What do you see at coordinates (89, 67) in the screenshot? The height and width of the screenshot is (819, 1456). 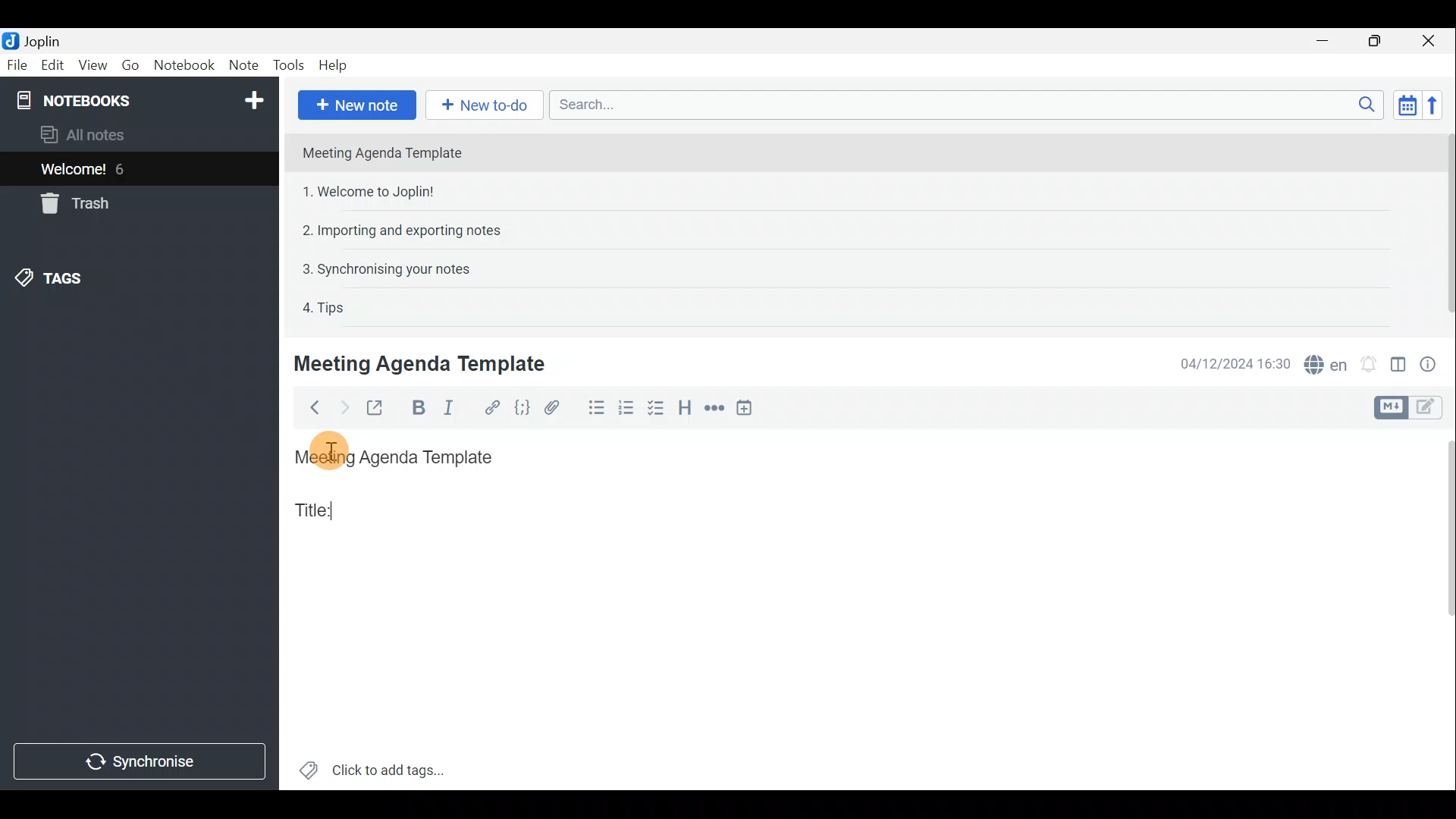 I see `View` at bounding box center [89, 67].